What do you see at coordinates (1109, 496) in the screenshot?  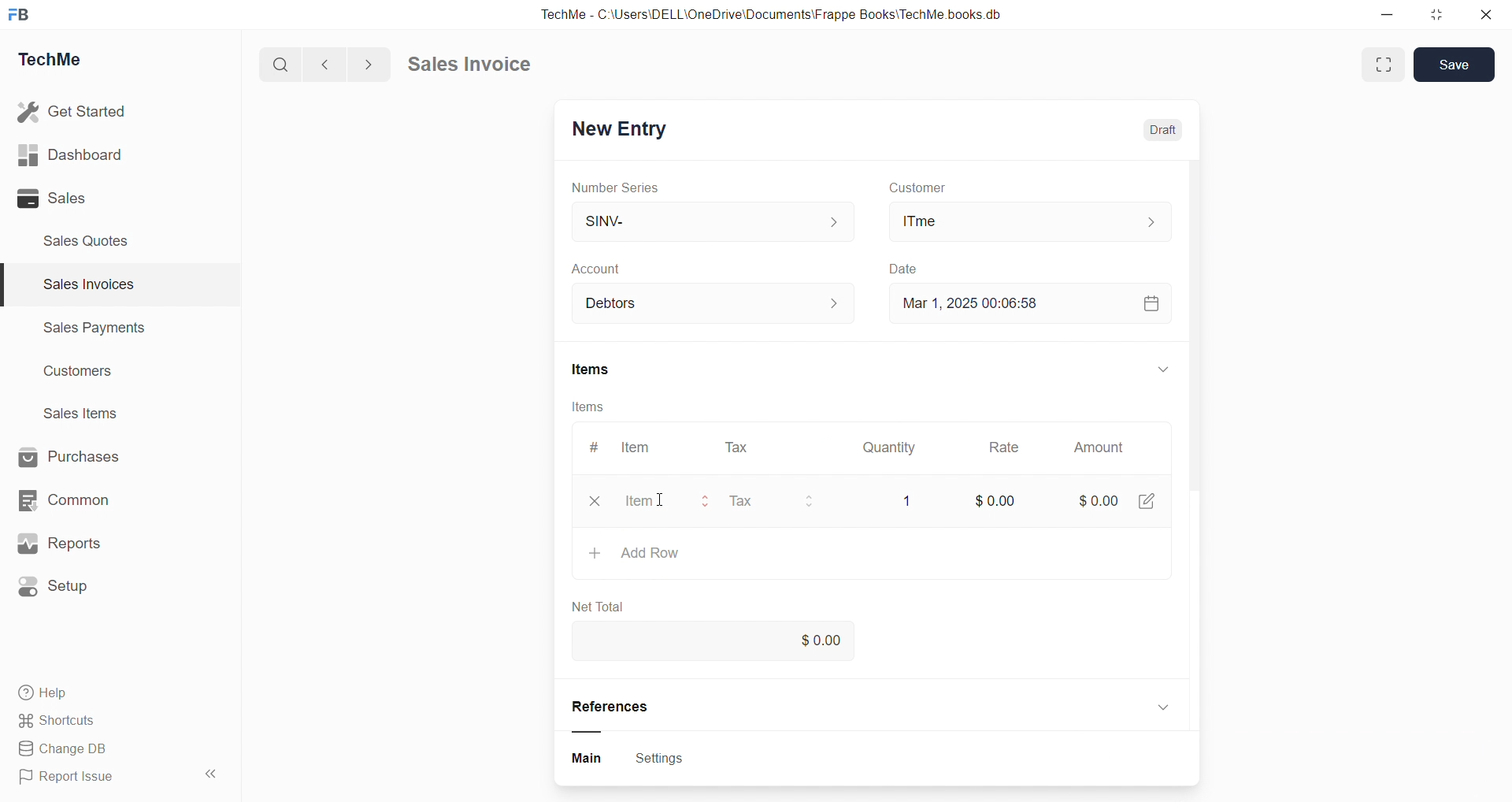 I see `$0.00 [4` at bounding box center [1109, 496].